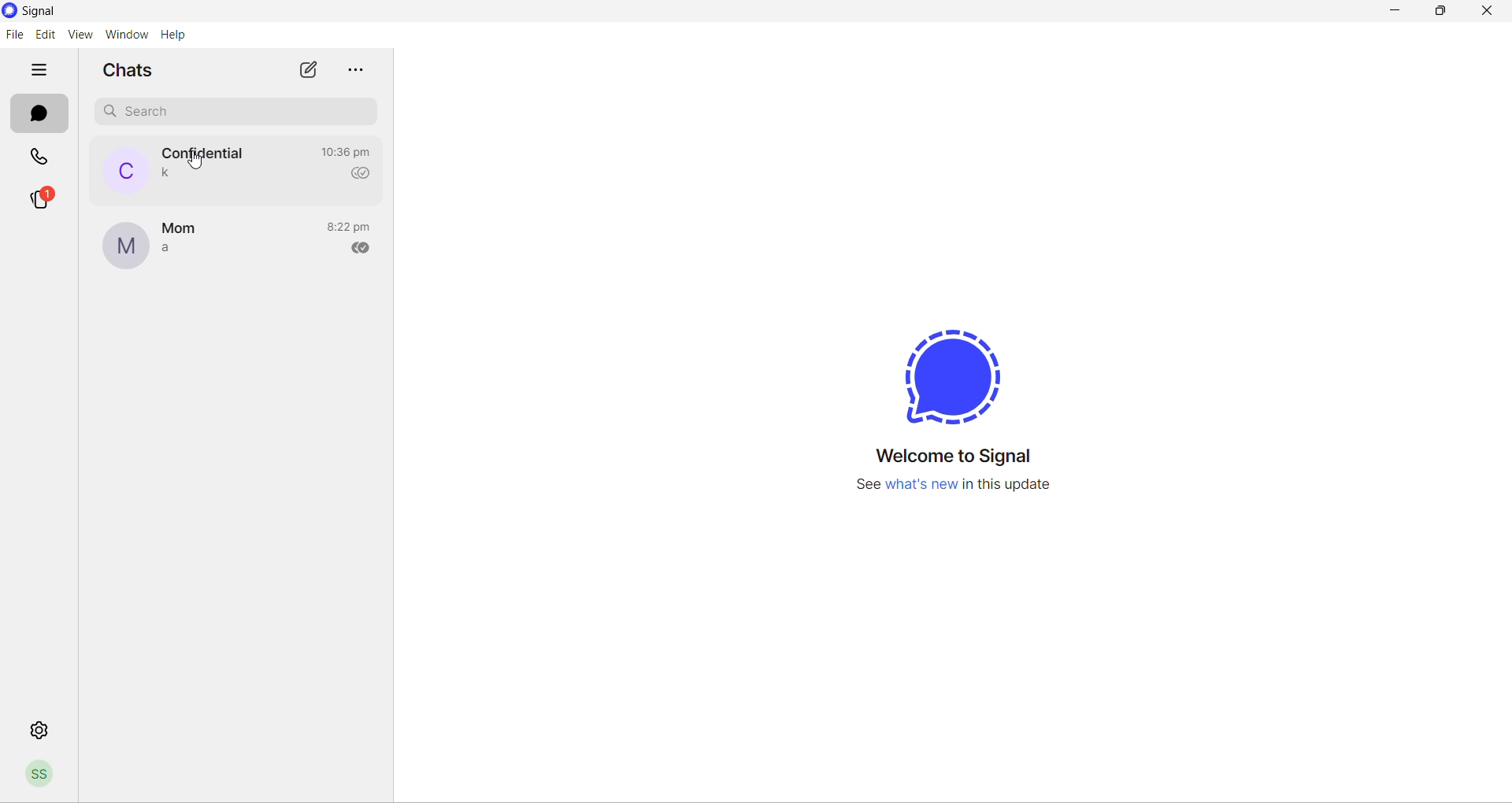  What do you see at coordinates (46, 71) in the screenshot?
I see `hide tabs` at bounding box center [46, 71].